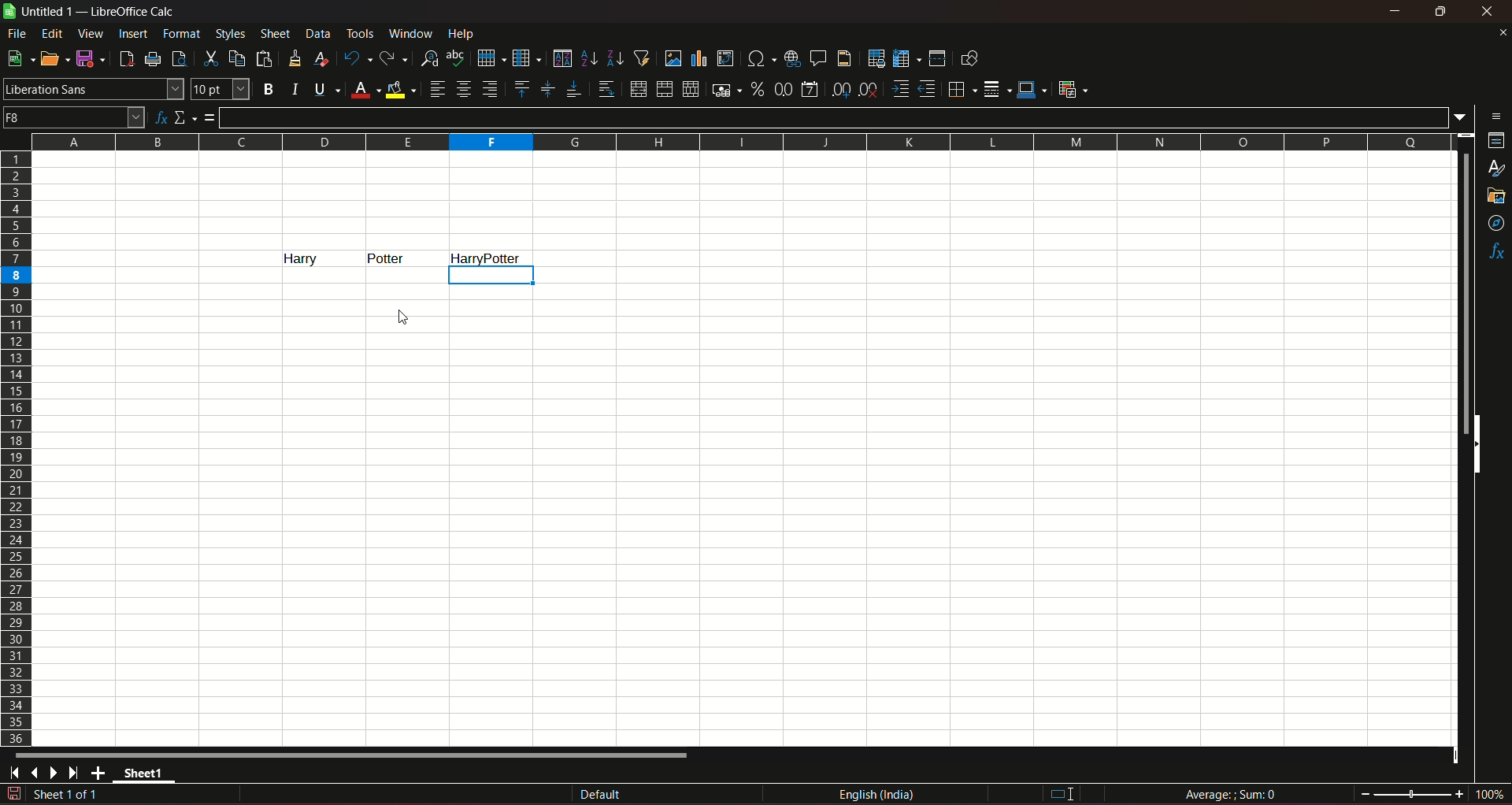 The width and height of the screenshot is (1512, 805). Describe the element at coordinates (810, 91) in the screenshot. I see `format as date` at that location.